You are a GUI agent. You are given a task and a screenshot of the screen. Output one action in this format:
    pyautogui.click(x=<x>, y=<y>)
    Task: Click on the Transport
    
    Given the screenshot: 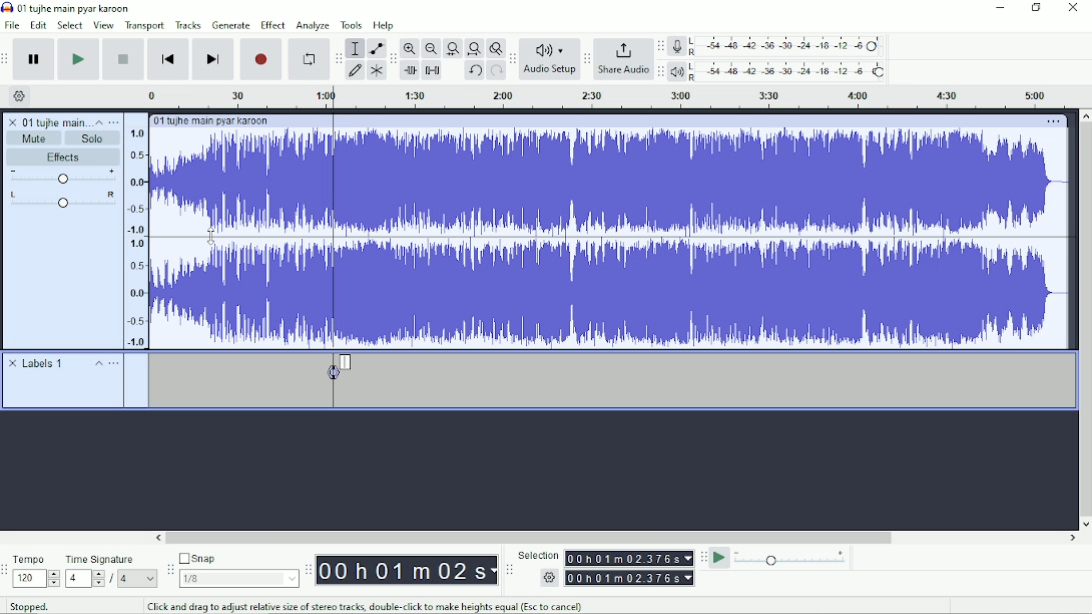 What is the action you would take?
    pyautogui.click(x=145, y=26)
    